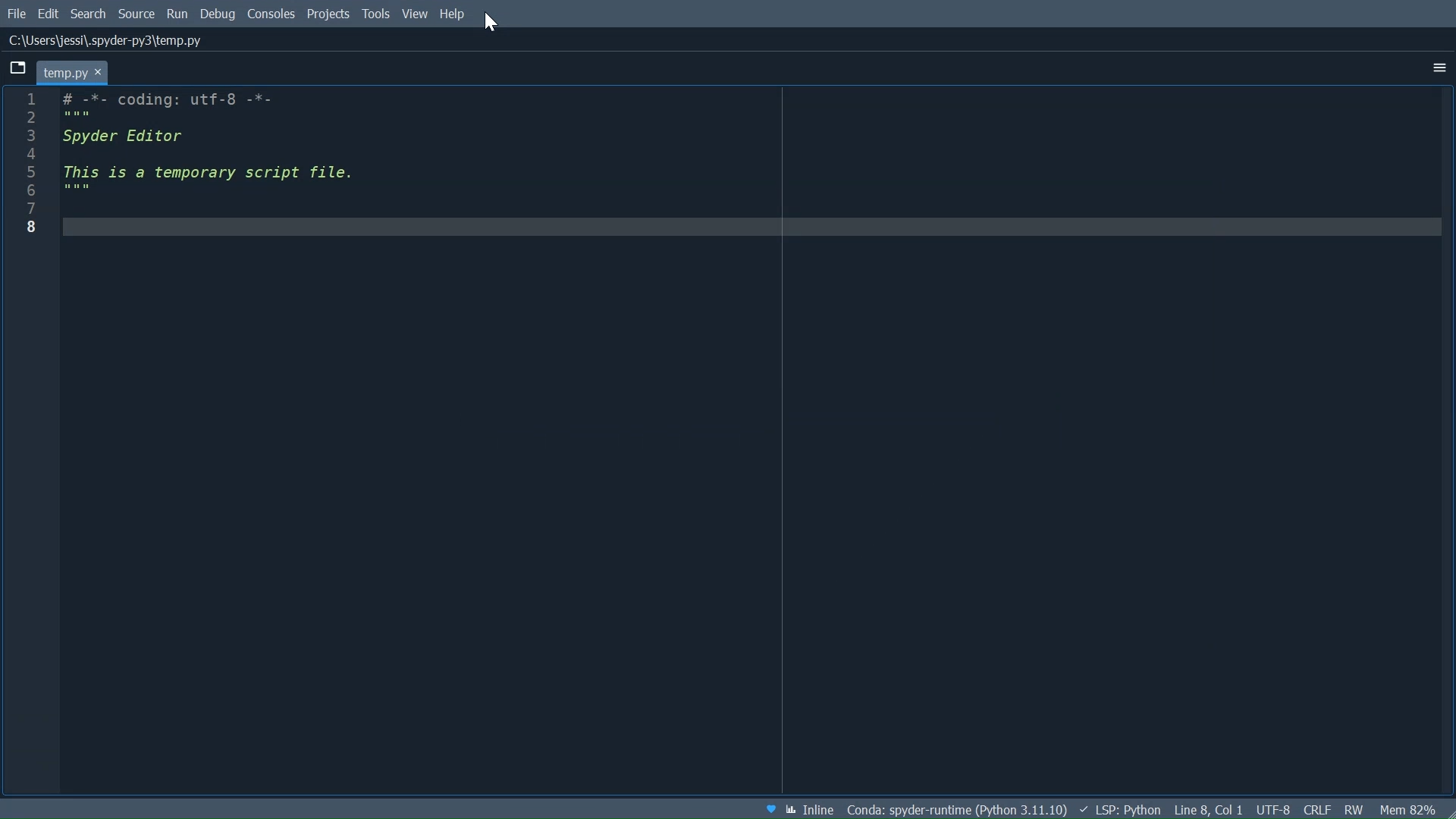 The image size is (1456, 819). I want to click on , so click(27, 440).